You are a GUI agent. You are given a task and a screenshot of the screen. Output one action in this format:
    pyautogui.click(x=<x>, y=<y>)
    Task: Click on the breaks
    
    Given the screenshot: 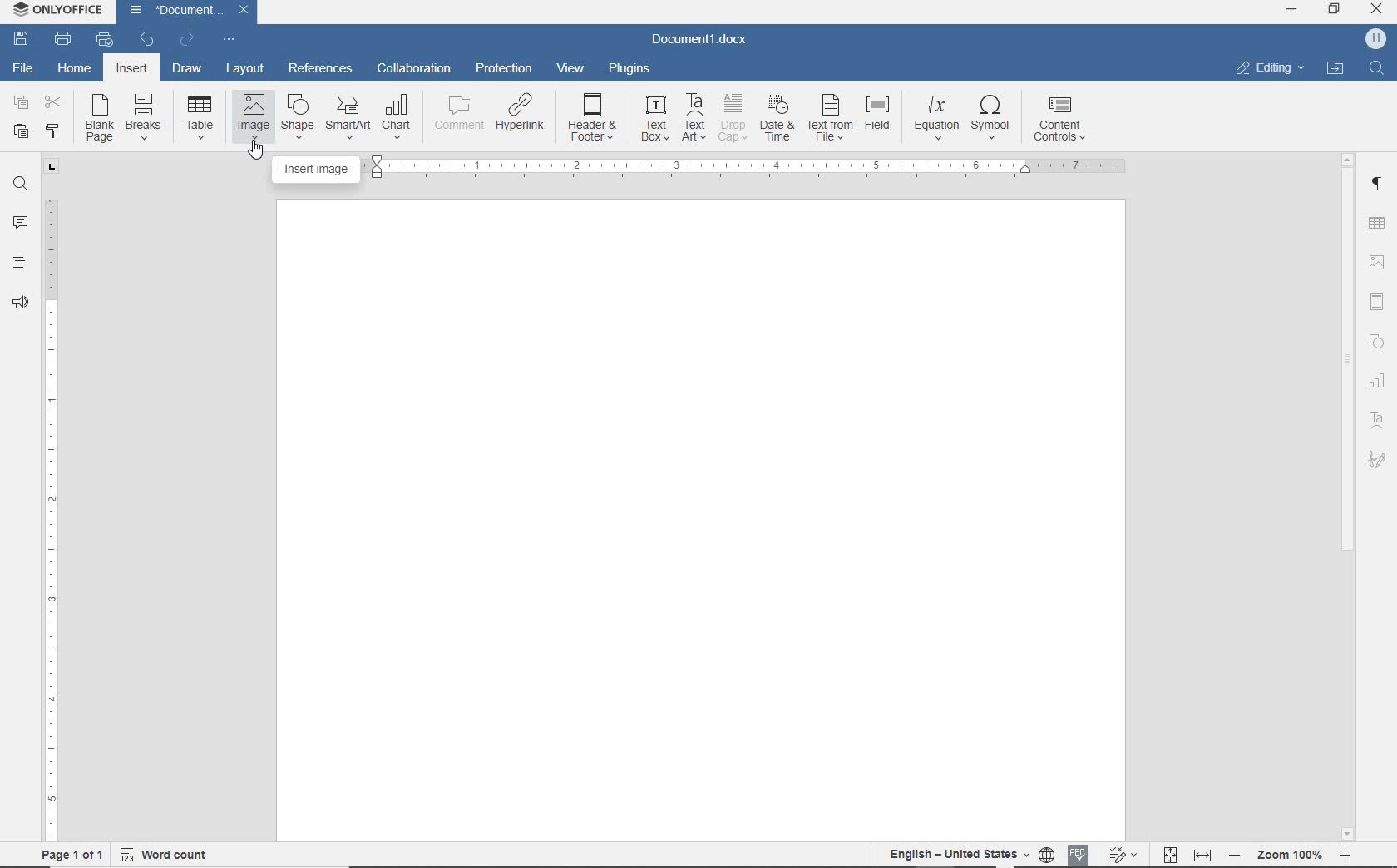 What is the action you would take?
    pyautogui.click(x=141, y=120)
    